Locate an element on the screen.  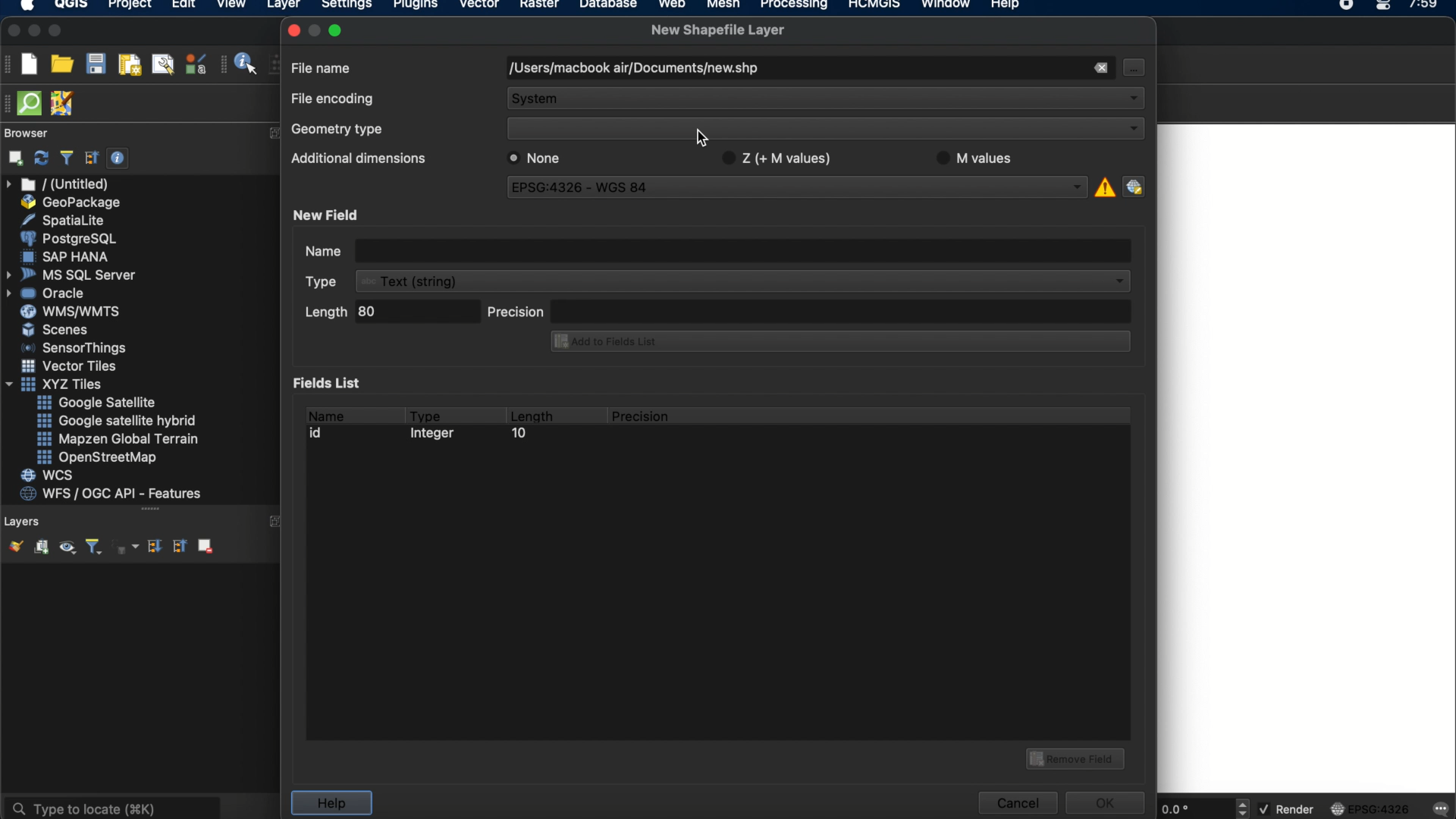
plugins is located at coordinates (416, 7).